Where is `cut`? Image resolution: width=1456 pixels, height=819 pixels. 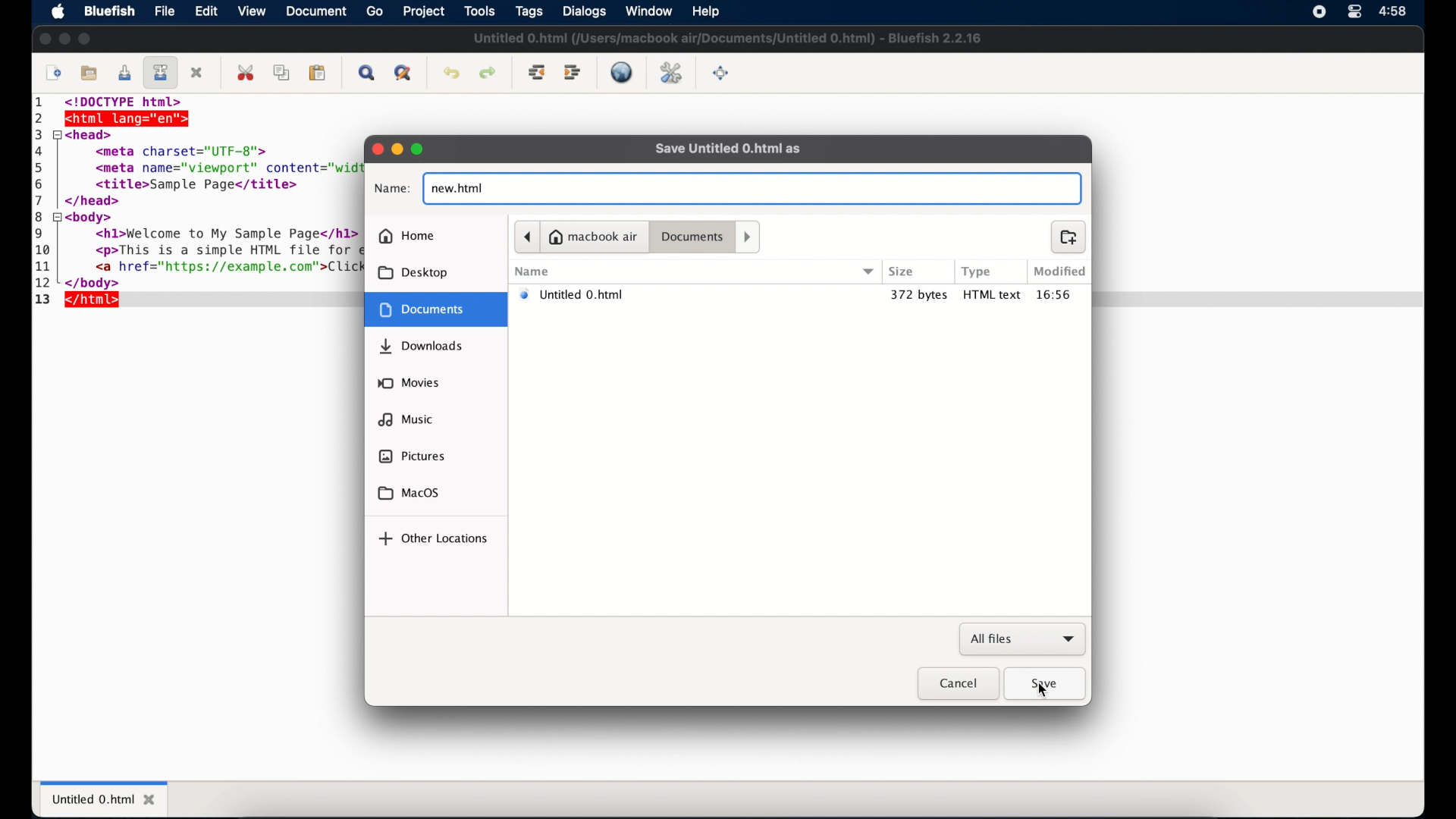
cut is located at coordinates (247, 72).